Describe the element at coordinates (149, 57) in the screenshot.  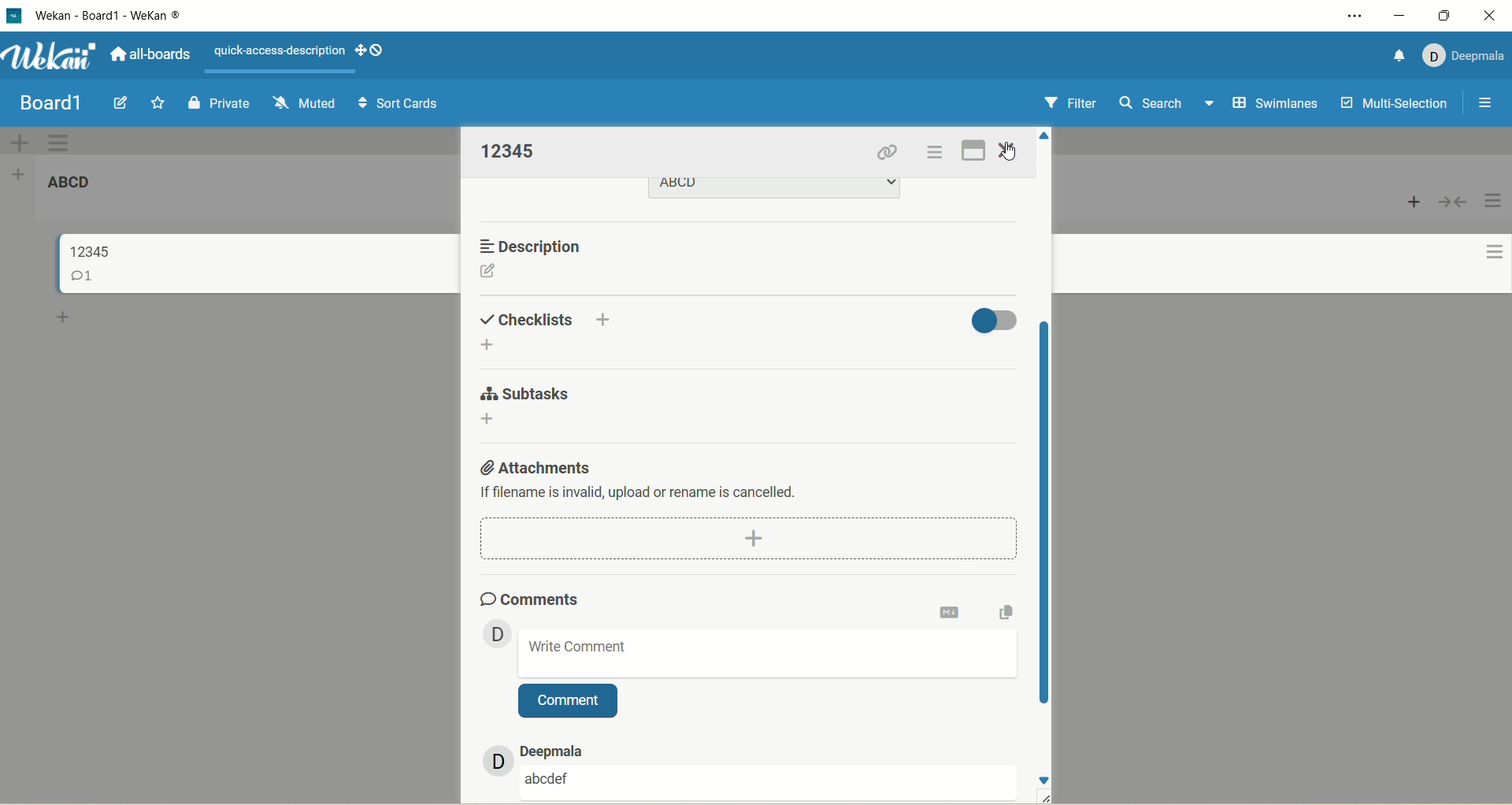
I see `all boards` at that location.